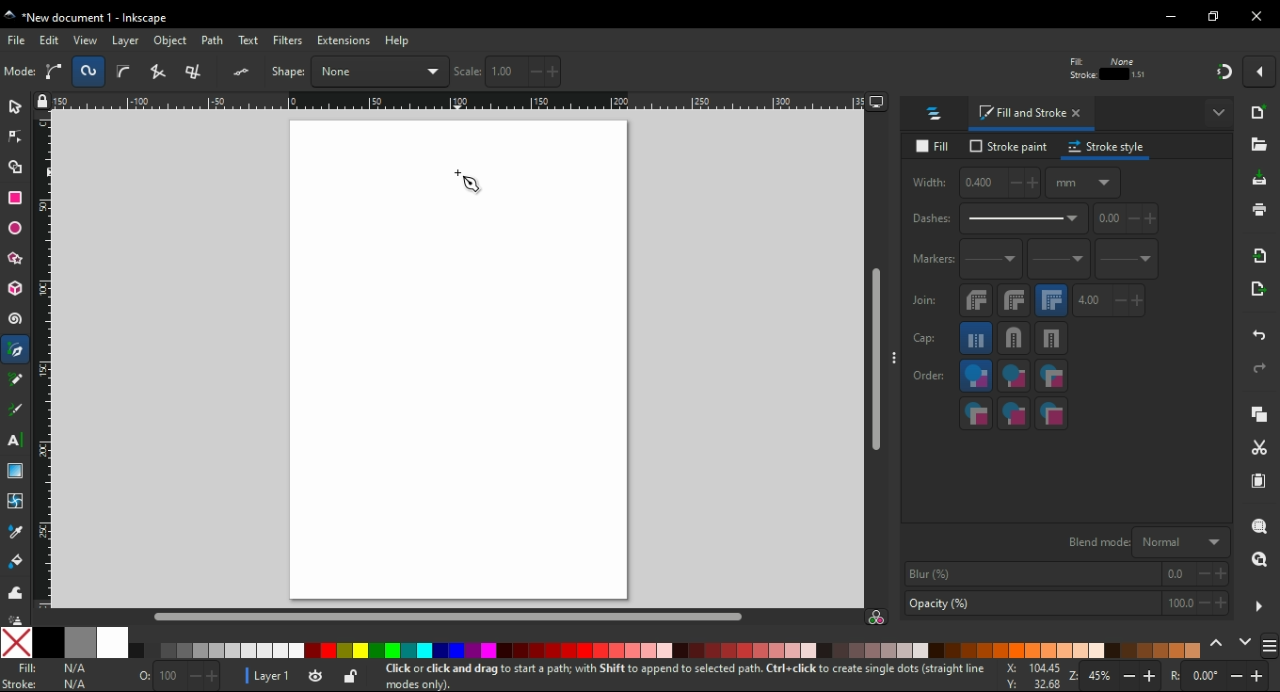 This screenshot has height=692, width=1280. Describe the element at coordinates (1261, 255) in the screenshot. I see `import` at that location.